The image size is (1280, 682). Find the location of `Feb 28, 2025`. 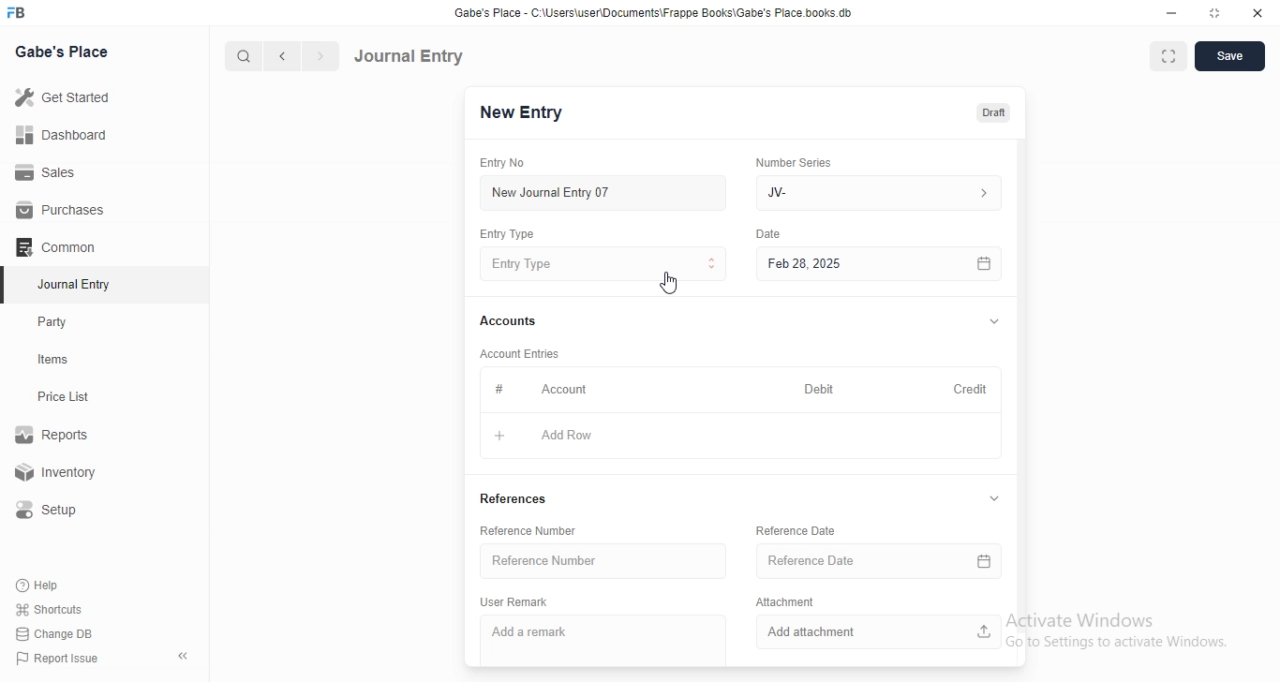

Feb 28, 2025 is located at coordinates (880, 265).